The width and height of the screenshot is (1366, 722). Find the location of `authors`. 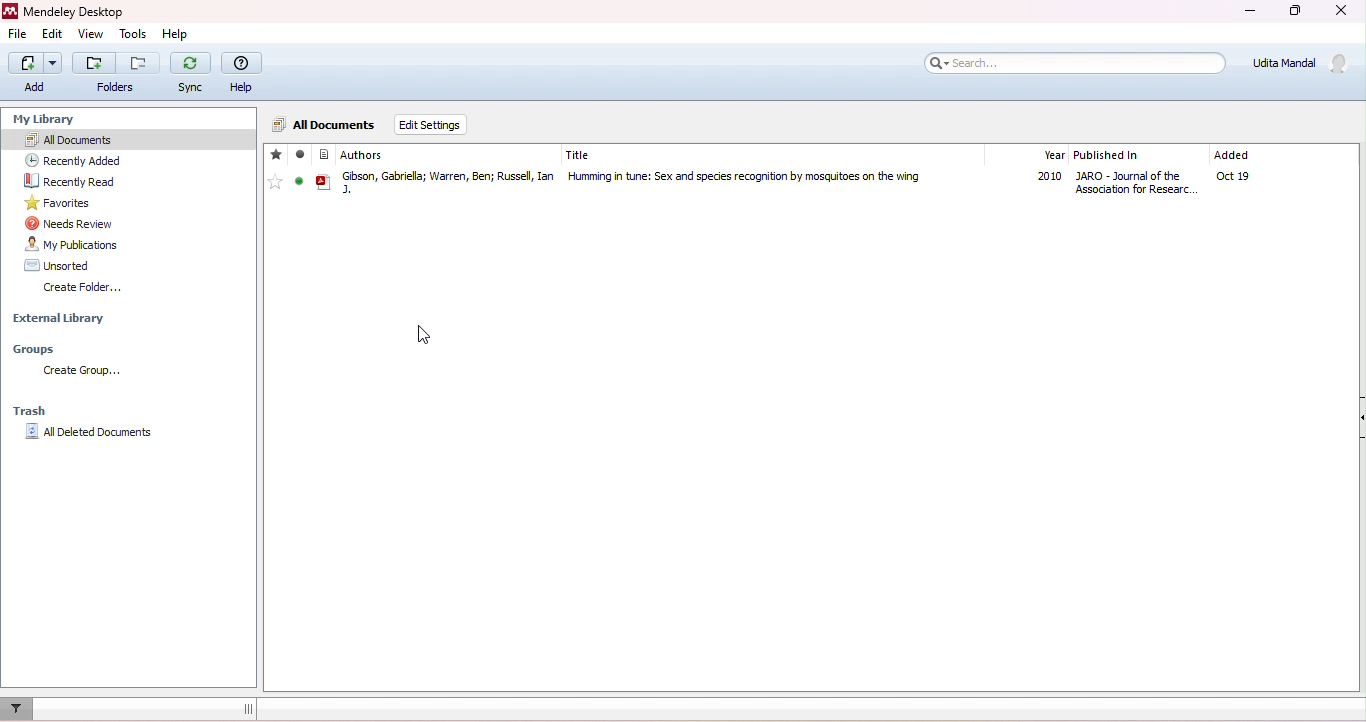

authors is located at coordinates (374, 155).